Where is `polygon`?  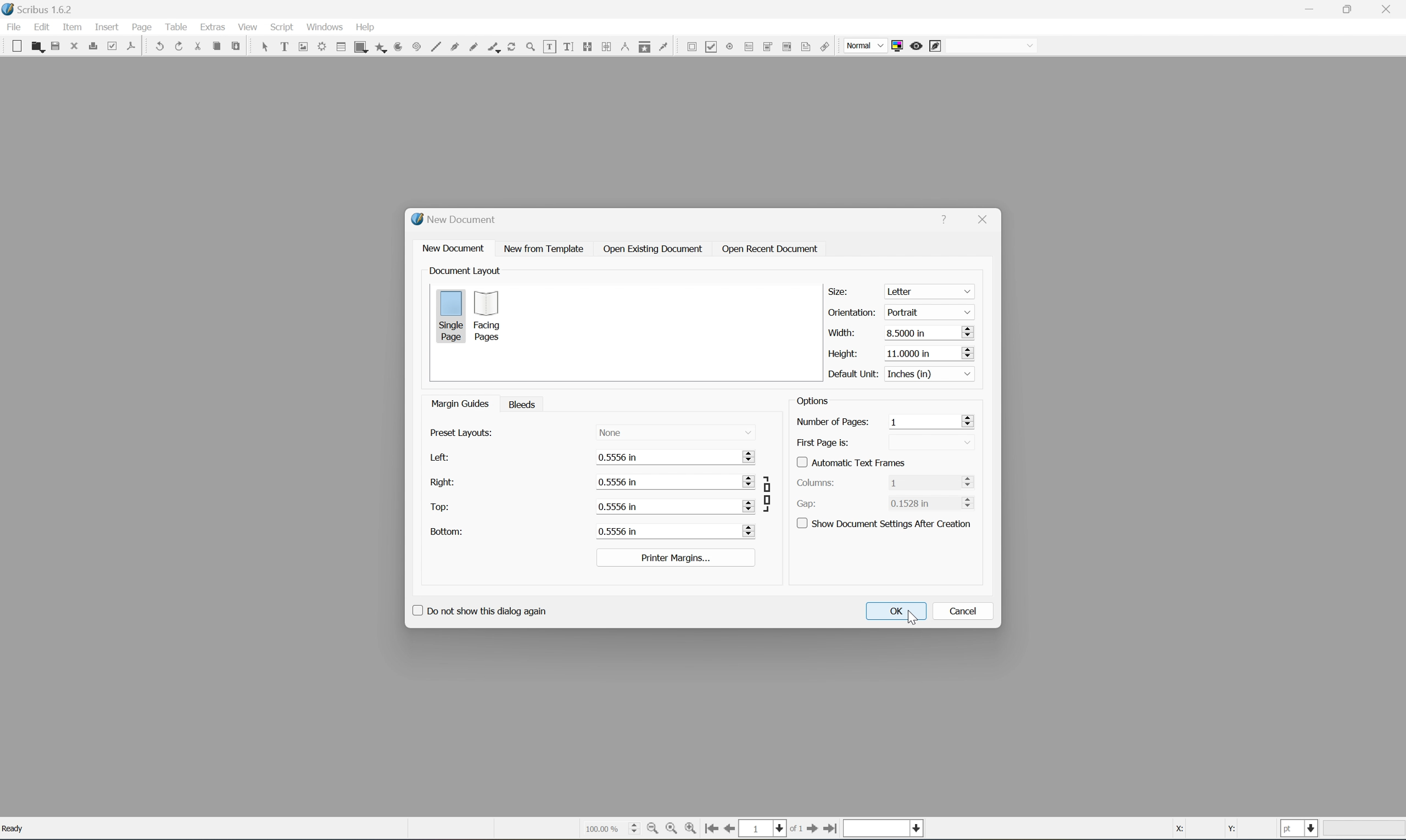 polygon is located at coordinates (378, 46).